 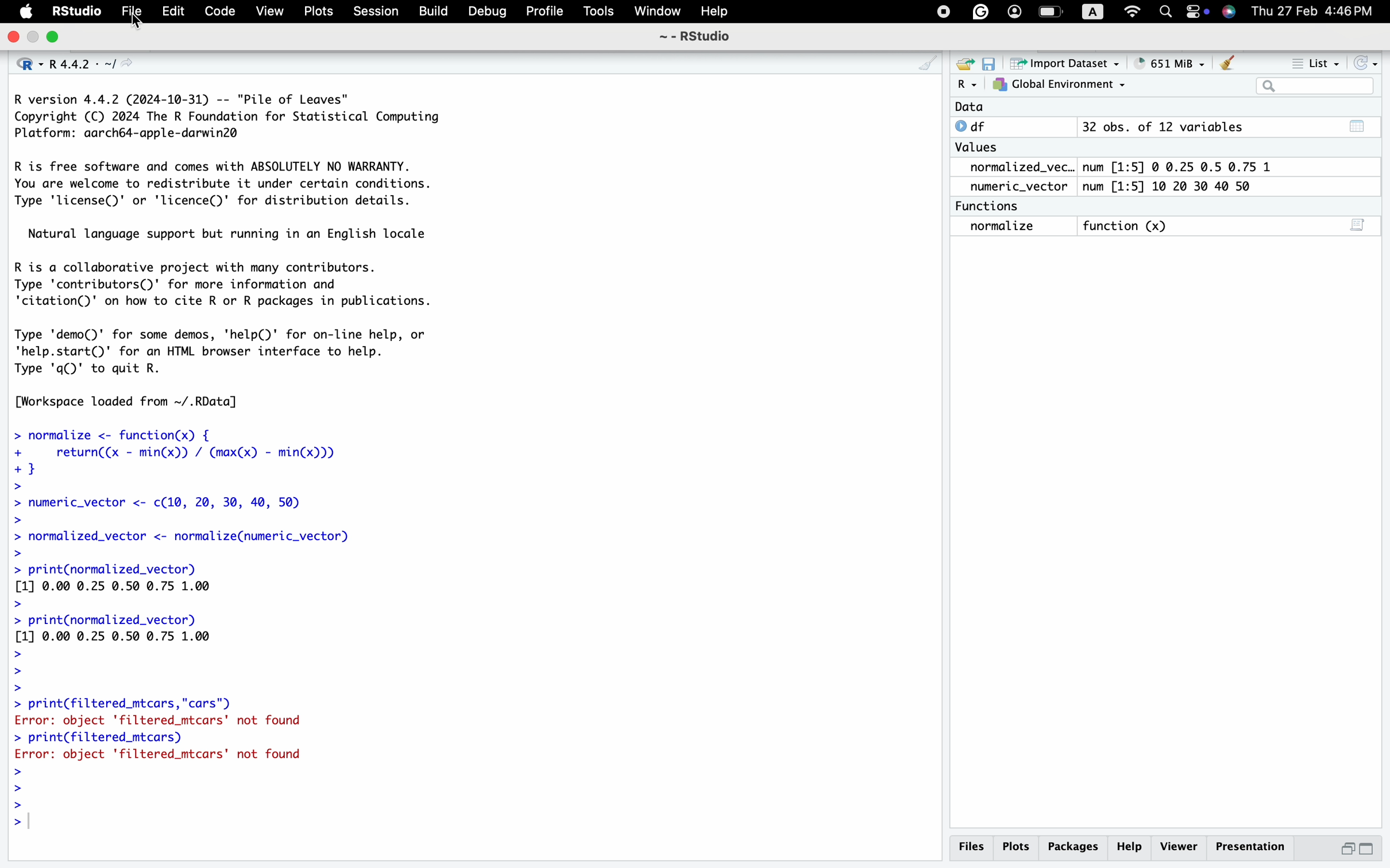 What do you see at coordinates (1018, 845) in the screenshot?
I see `Plots` at bounding box center [1018, 845].